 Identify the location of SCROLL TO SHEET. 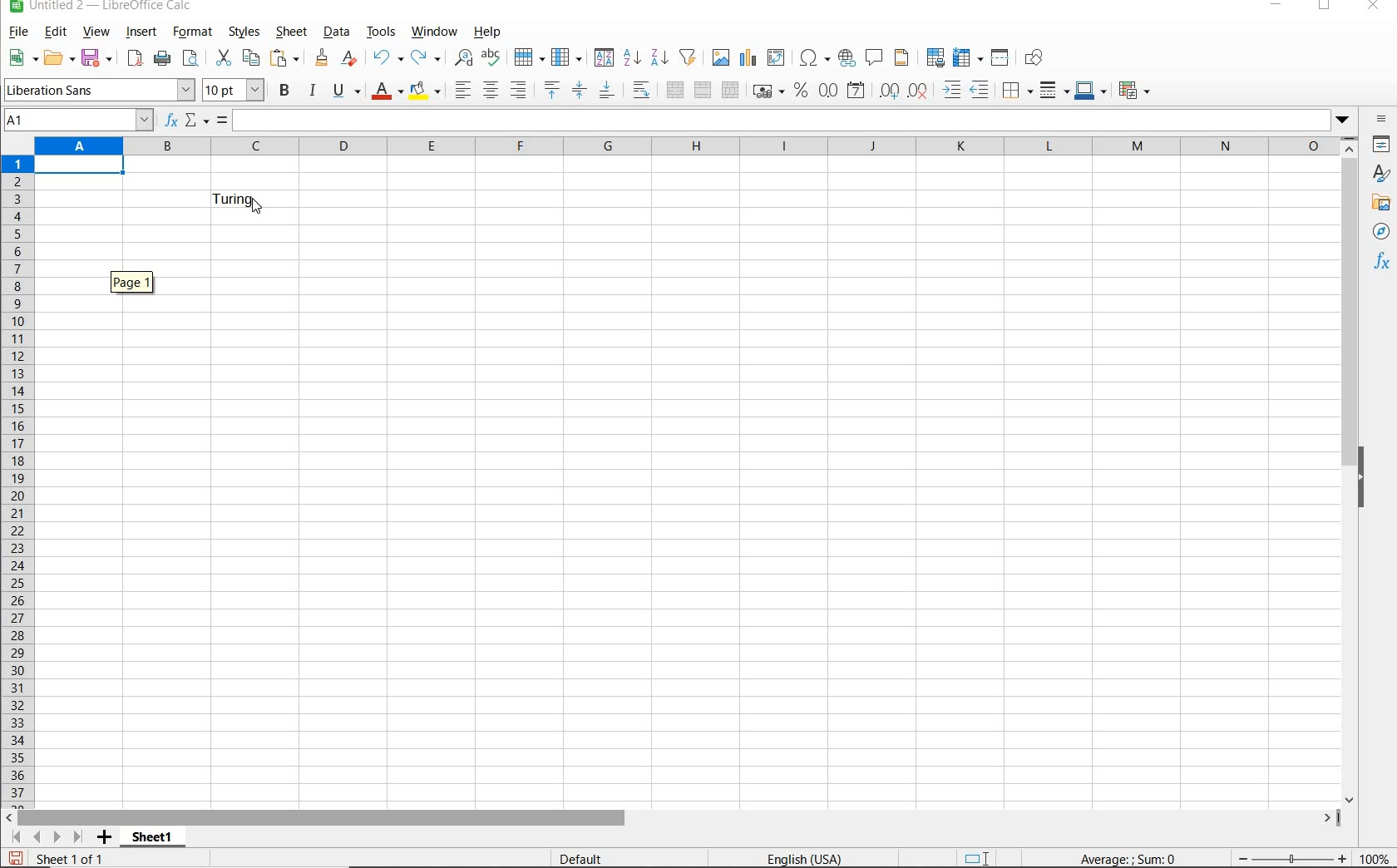
(44, 837).